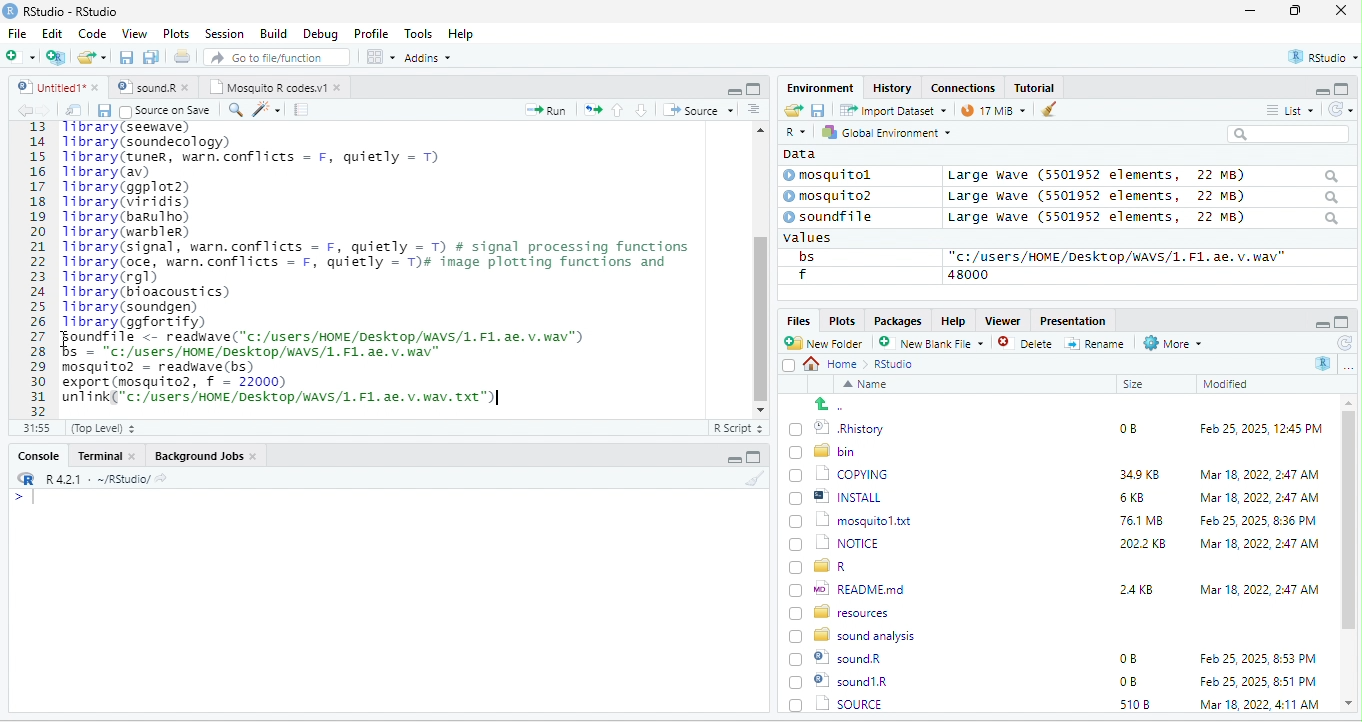 This screenshot has height=722, width=1362. I want to click on Environment, so click(820, 87).